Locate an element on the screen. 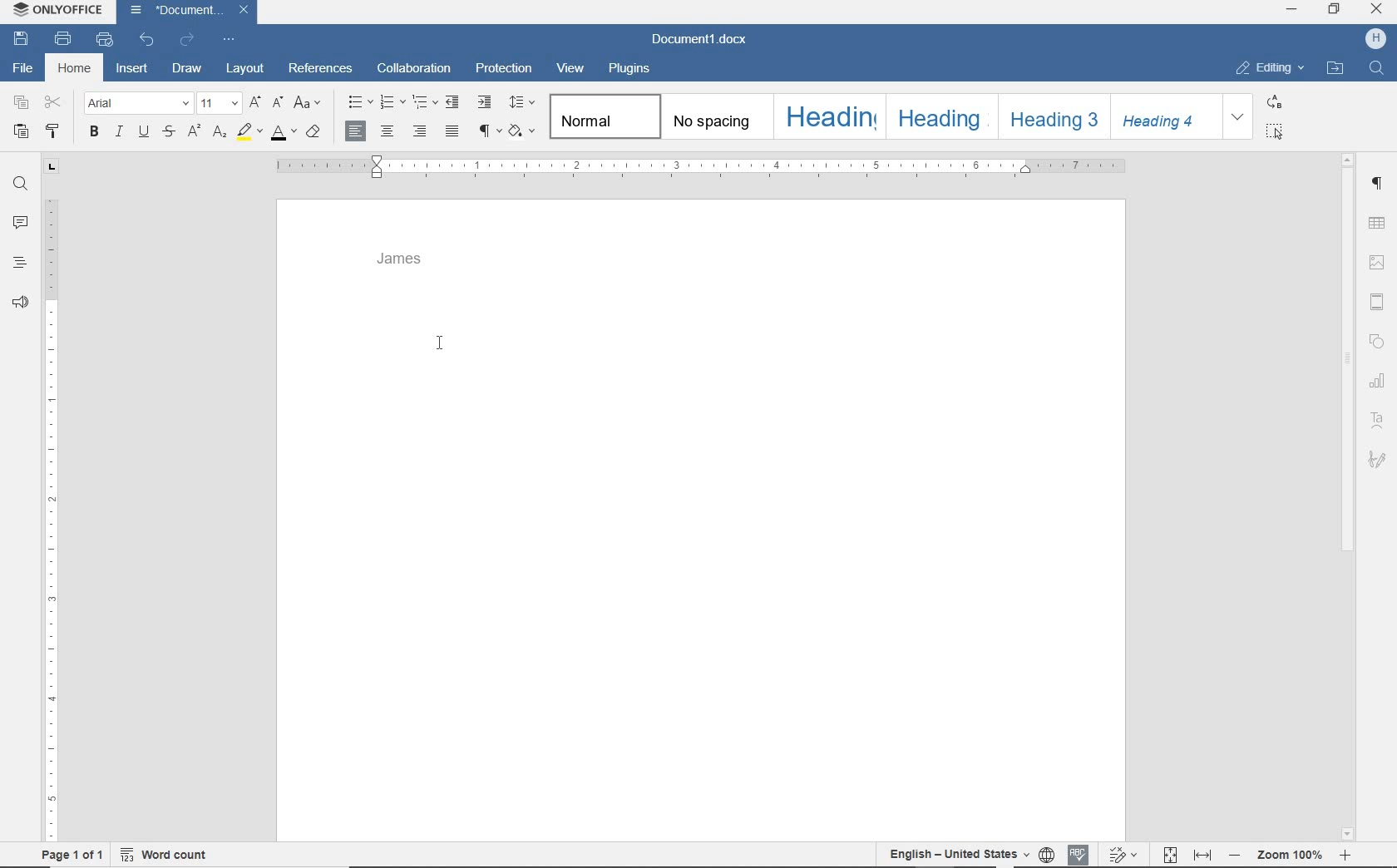  superscript is located at coordinates (192, 131).